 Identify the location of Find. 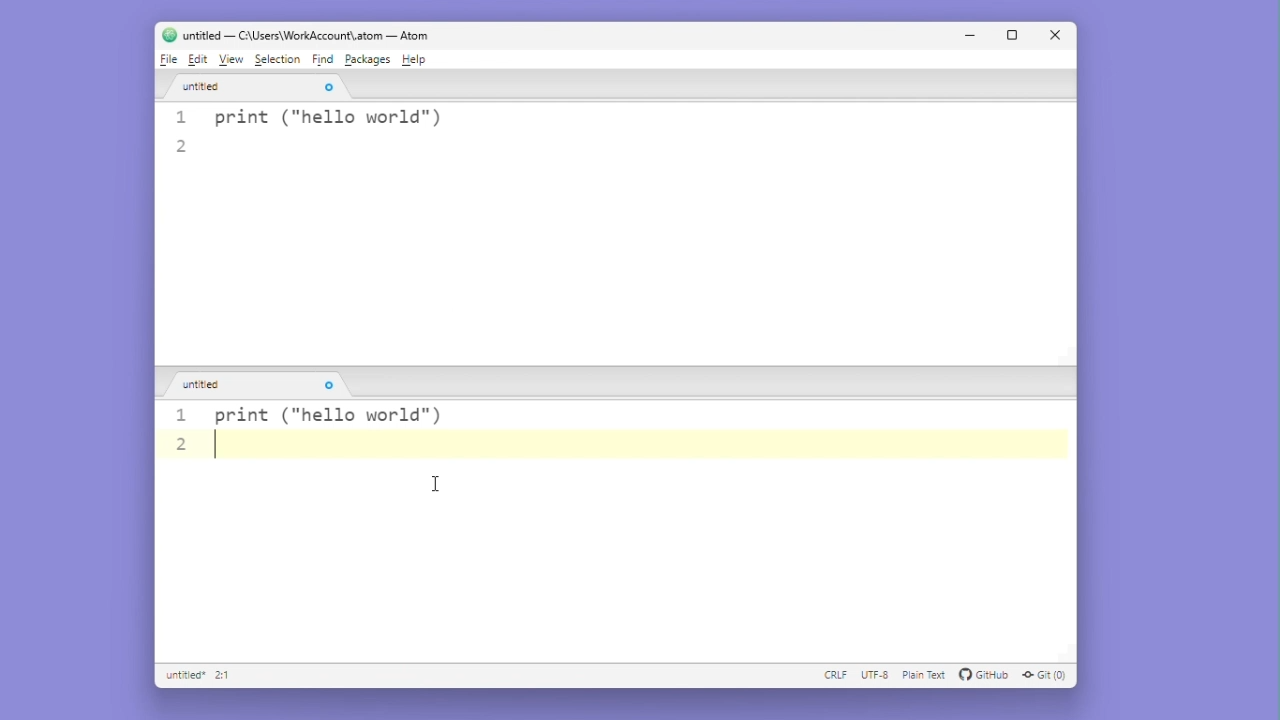
(325, 60).